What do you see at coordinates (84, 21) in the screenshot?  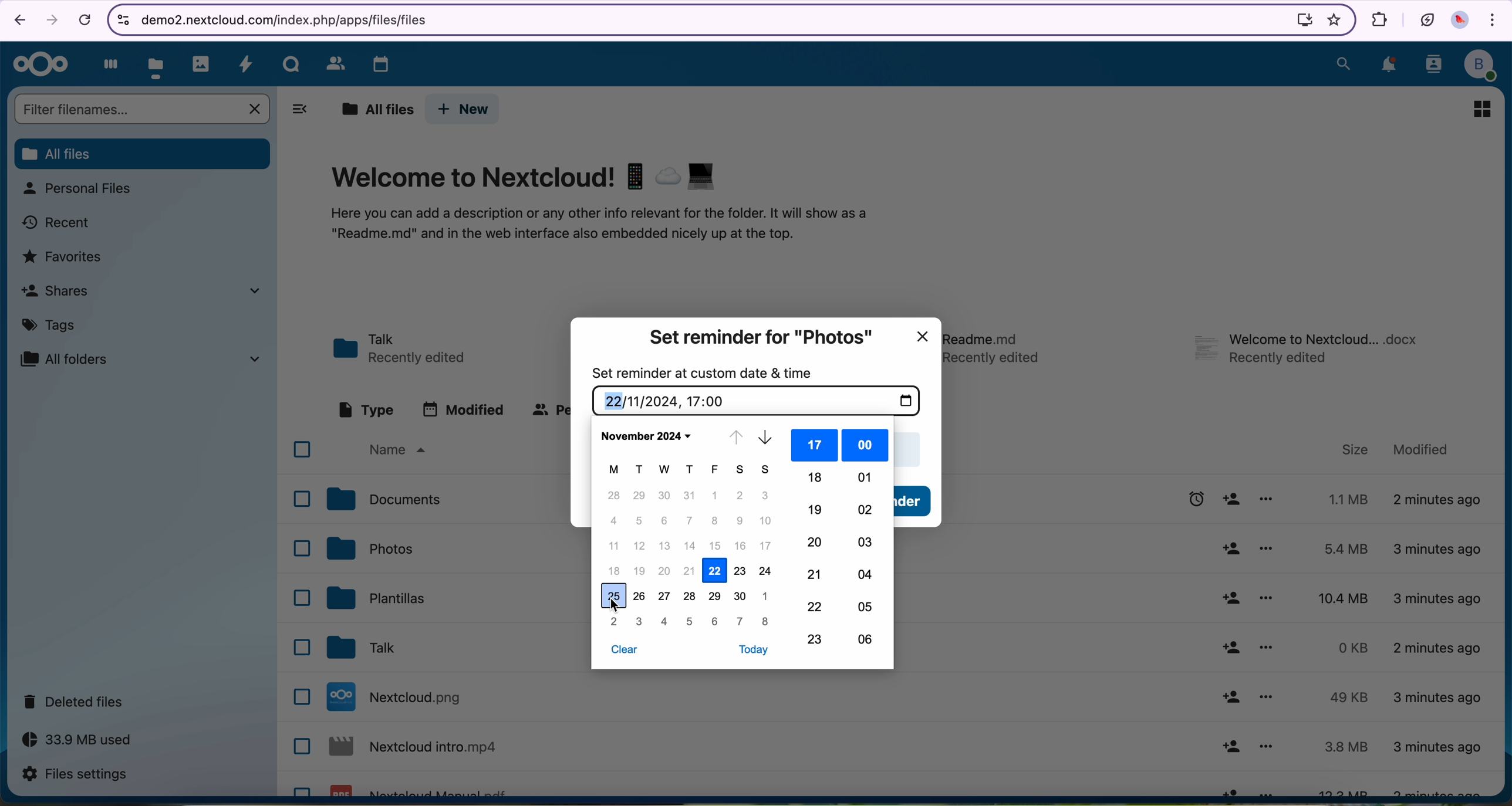 I see `cancel` at bounding box center [84, 21].